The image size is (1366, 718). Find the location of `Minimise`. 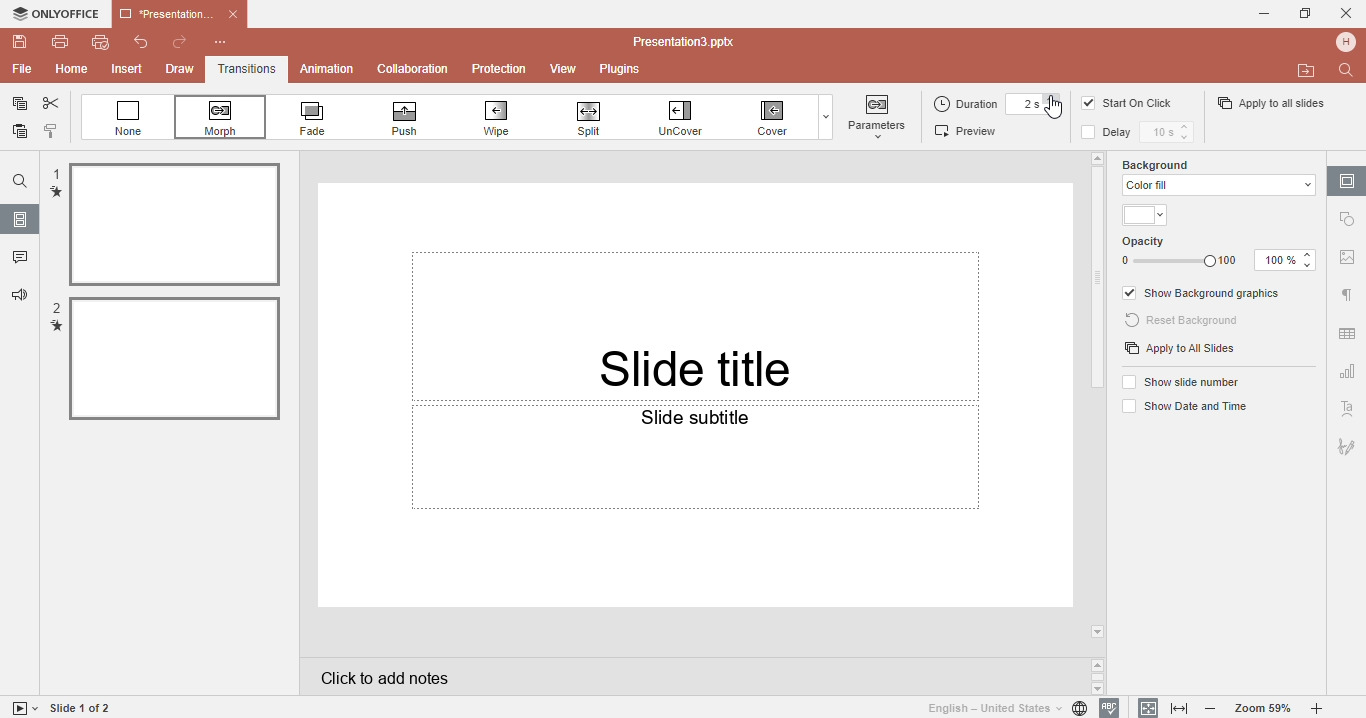

Minimise is located at coordinates (1258, 13).